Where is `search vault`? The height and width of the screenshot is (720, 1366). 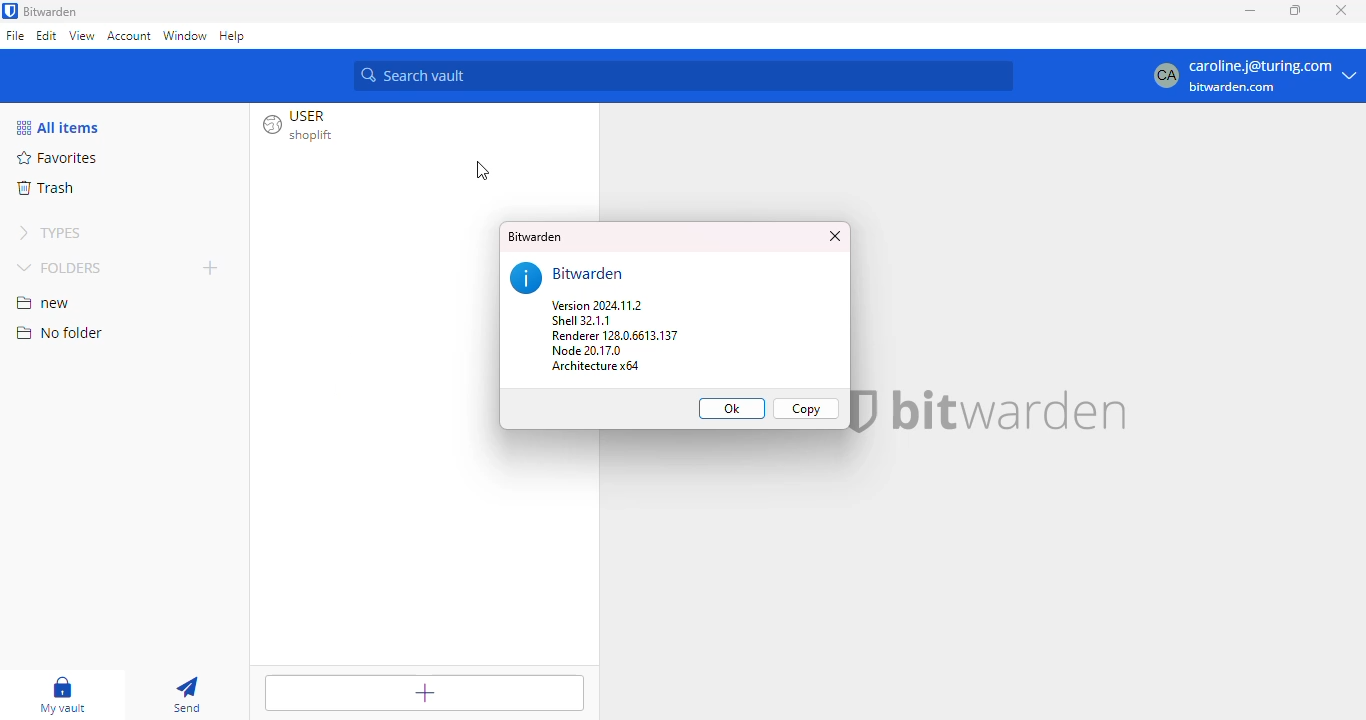 search vault is located at coordinates (684, 76).